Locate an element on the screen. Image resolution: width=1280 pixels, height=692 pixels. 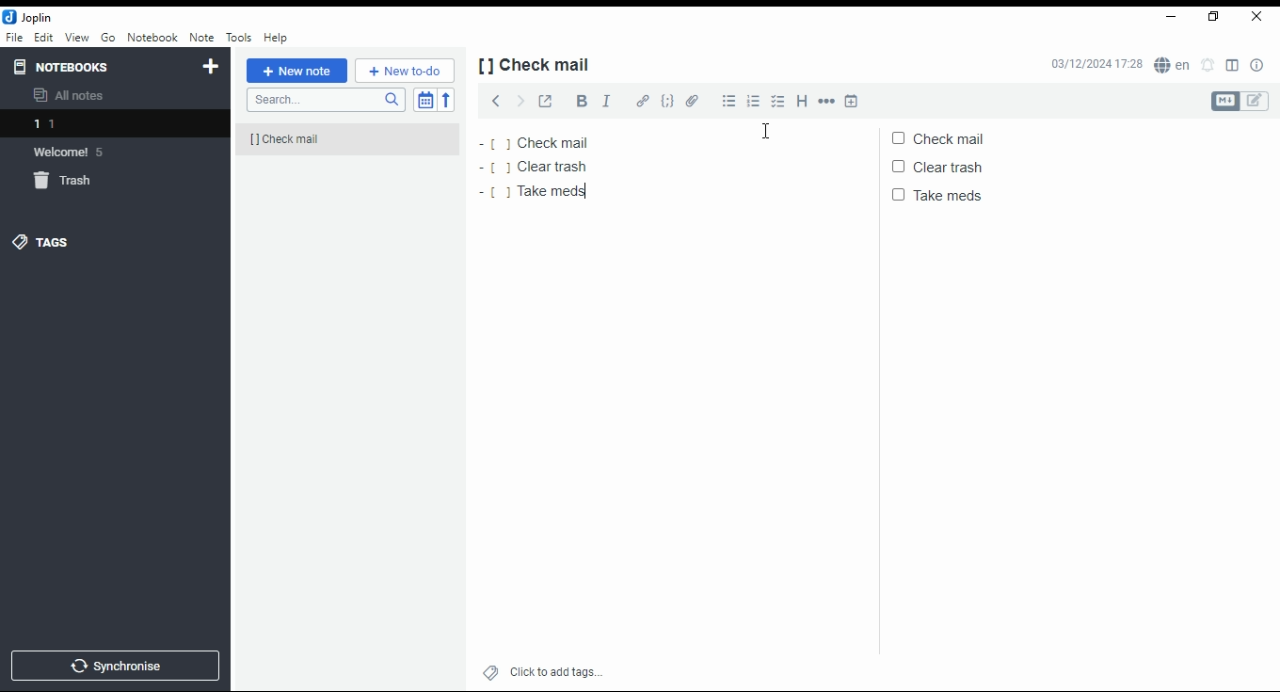
check mail is located at coordinates (543, 142).